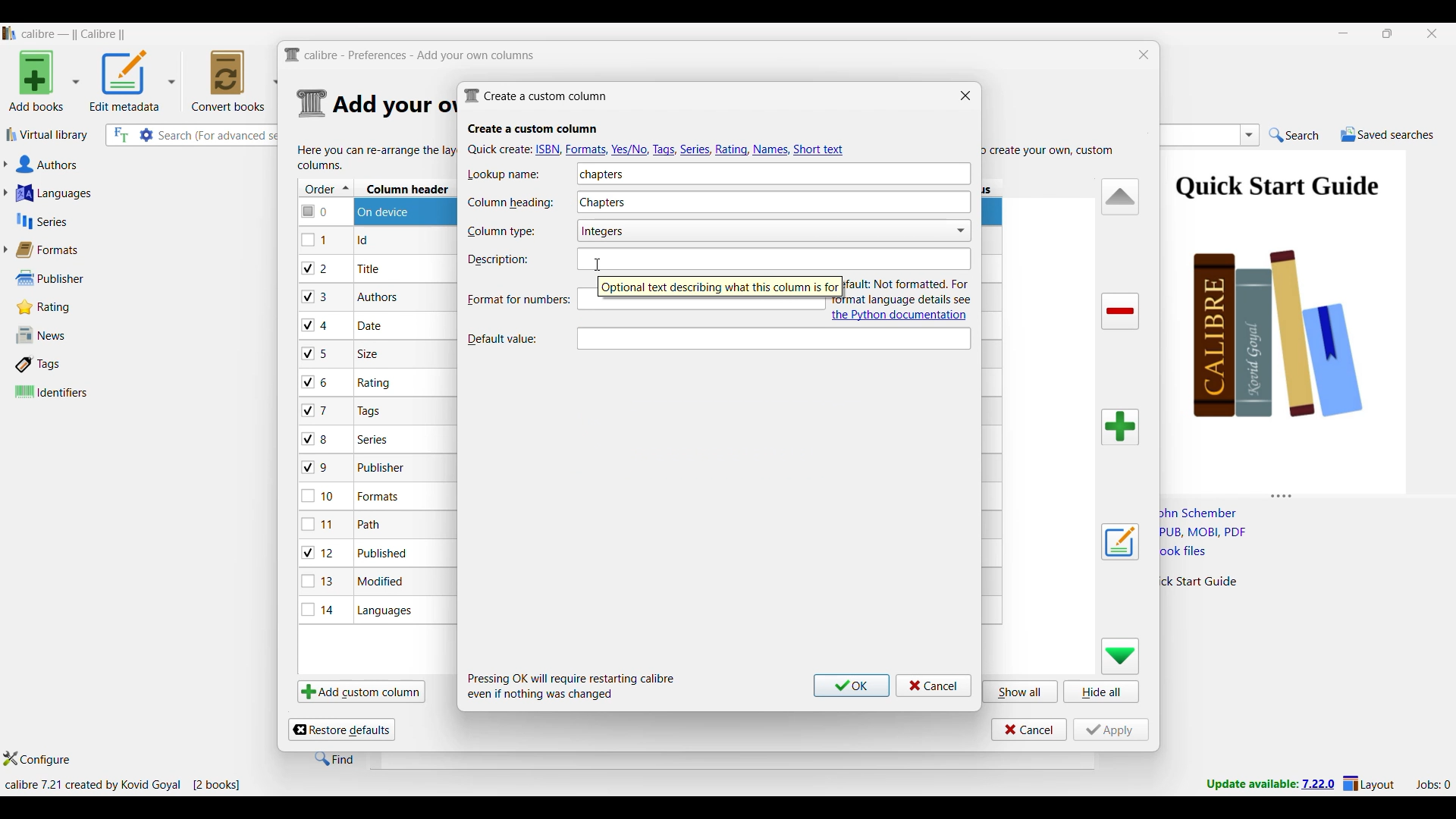 The image size is (1456, 819). Describe the element at coordinates (694, 259) in the screenshot. I see `Text` at that location.